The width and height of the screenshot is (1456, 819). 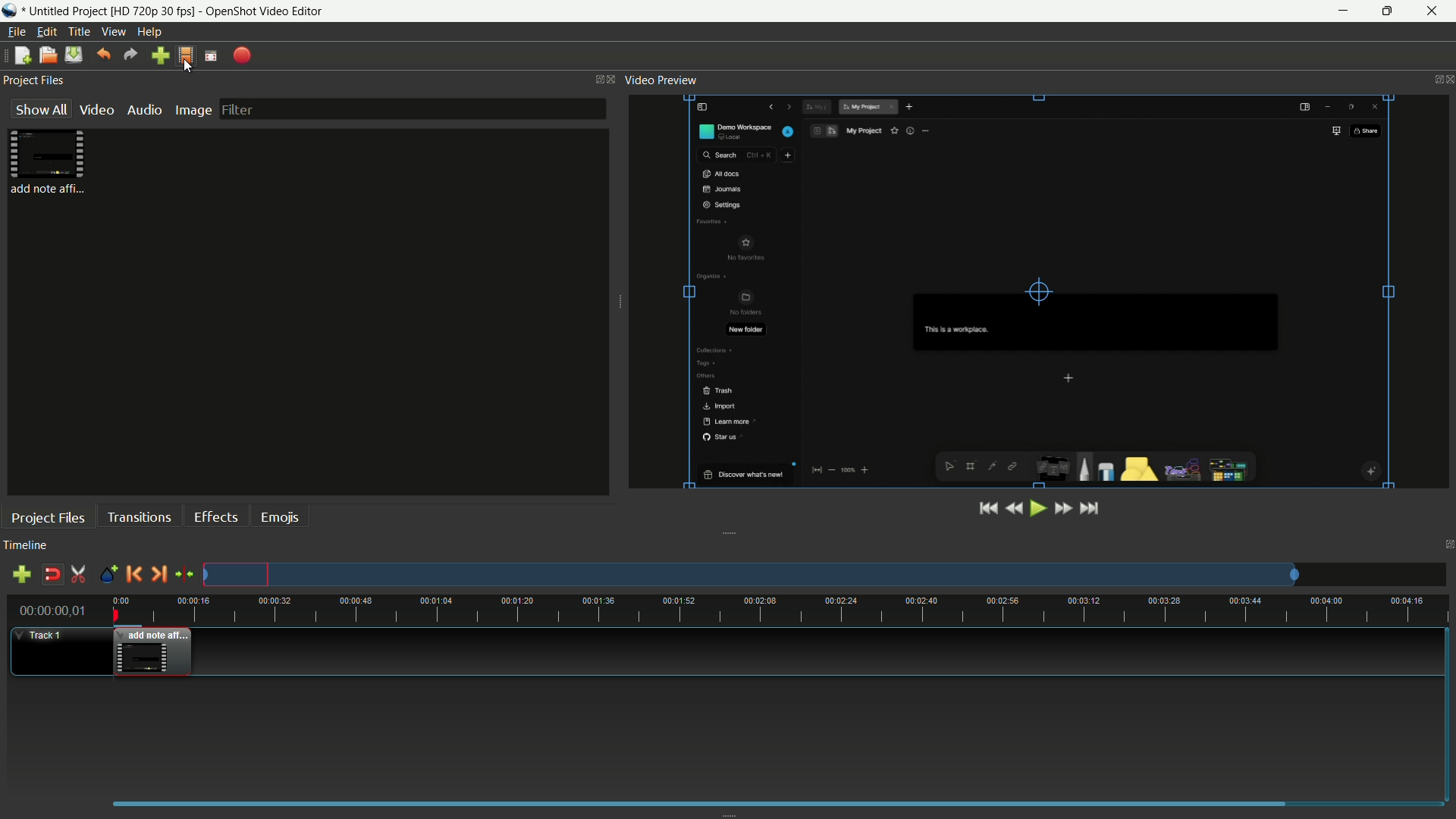 I want to click on maximize, so click(x=1389, y=11).